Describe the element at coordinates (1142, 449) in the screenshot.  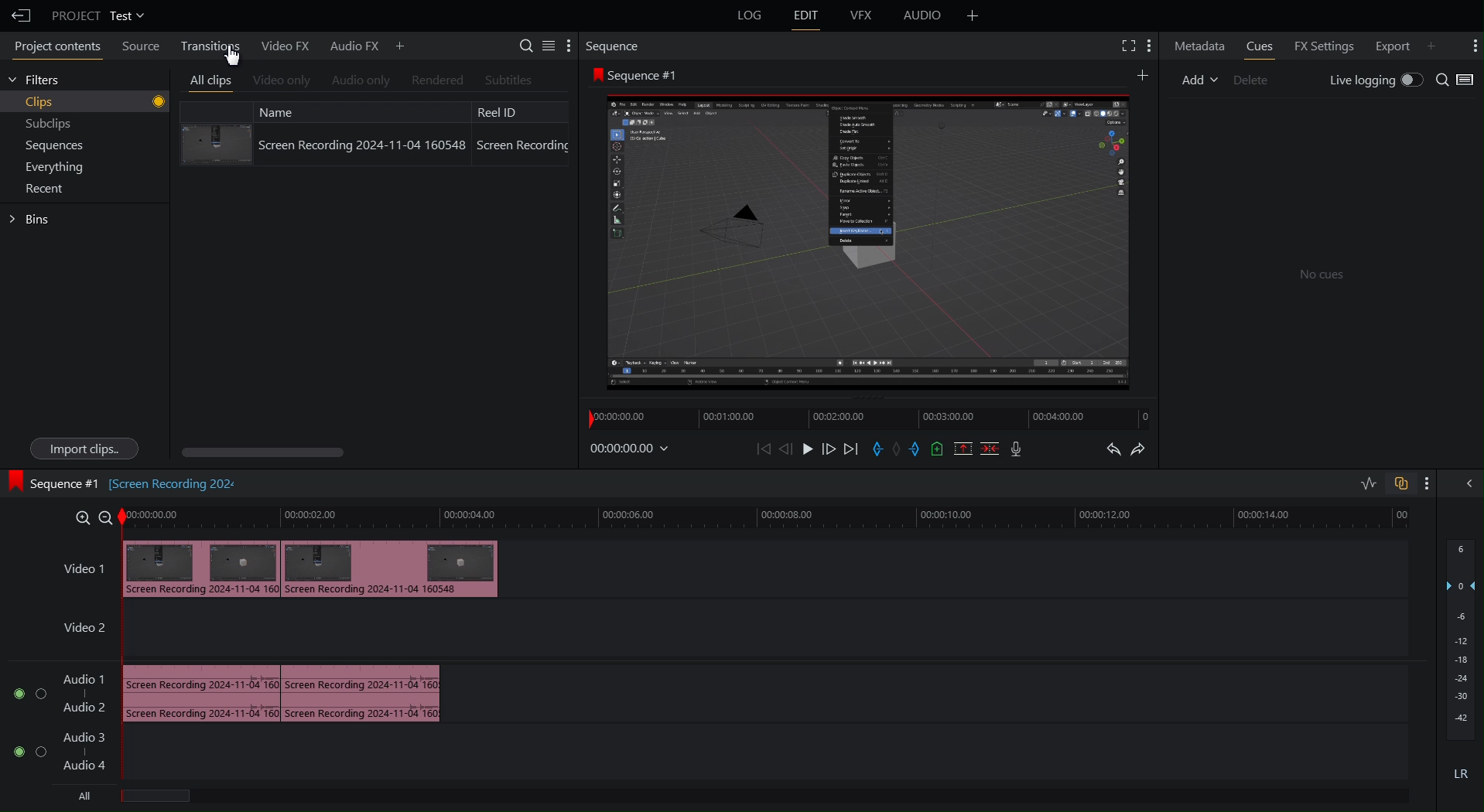
I see `Redo` at that location.